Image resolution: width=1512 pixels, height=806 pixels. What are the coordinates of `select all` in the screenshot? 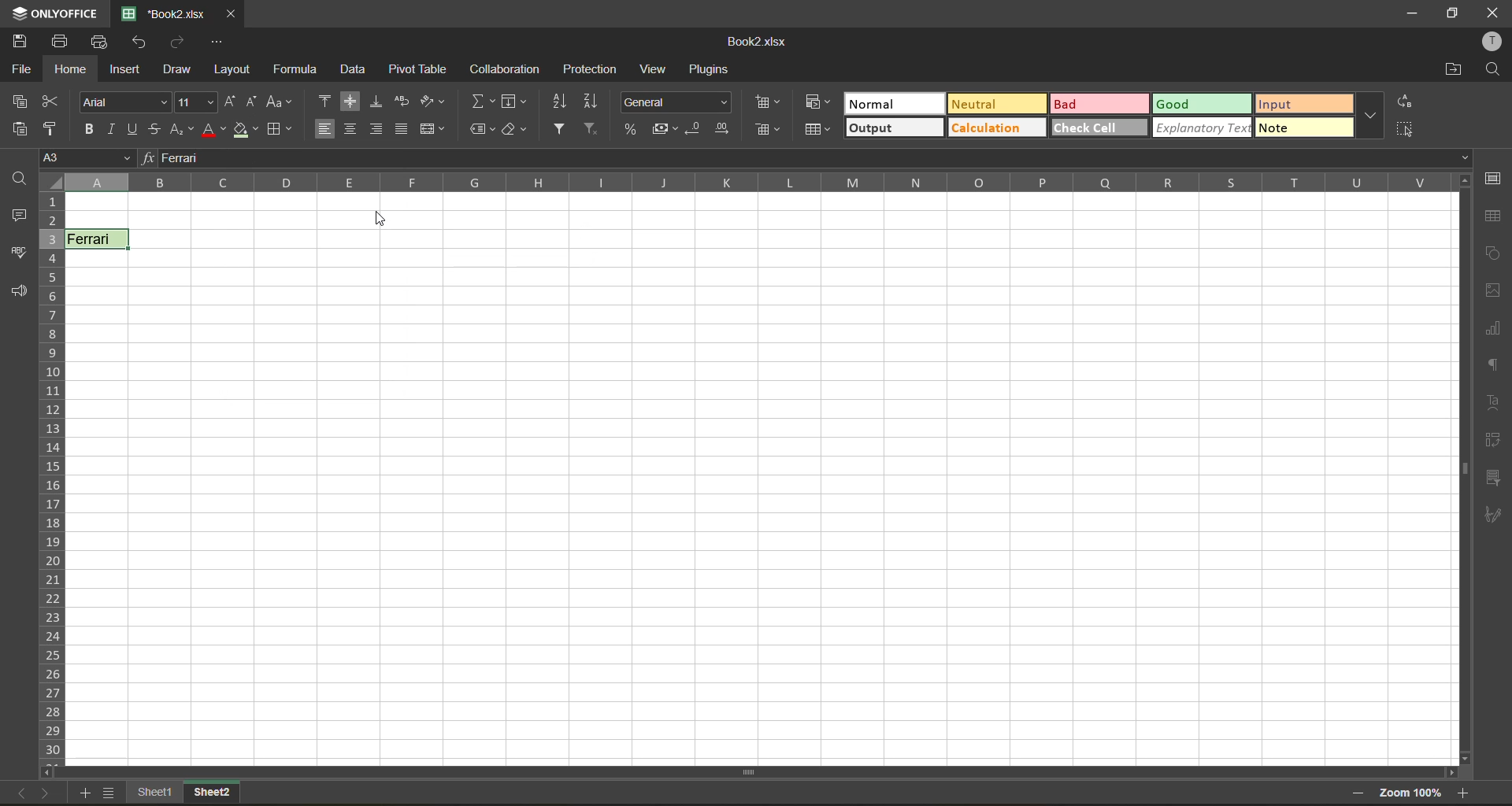 It's located at (1409, 130).